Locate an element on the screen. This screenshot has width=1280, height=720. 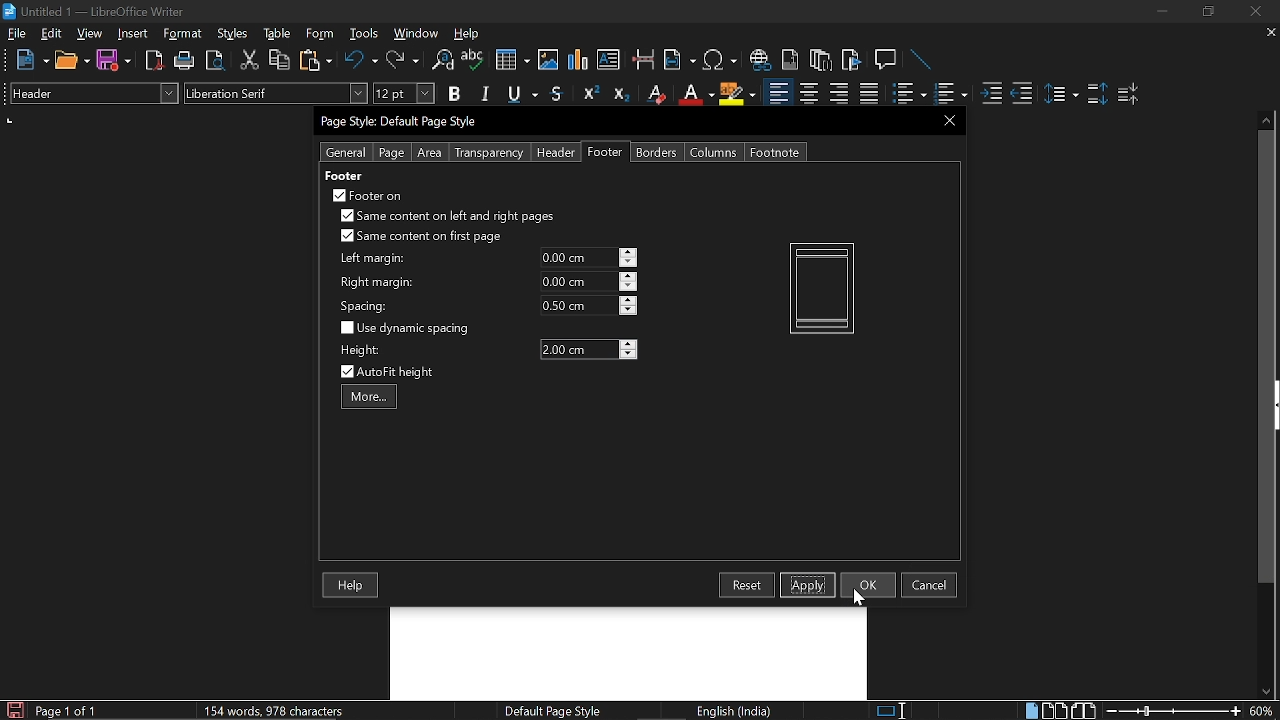
Insert footnote is located at coordinates (821, 60).